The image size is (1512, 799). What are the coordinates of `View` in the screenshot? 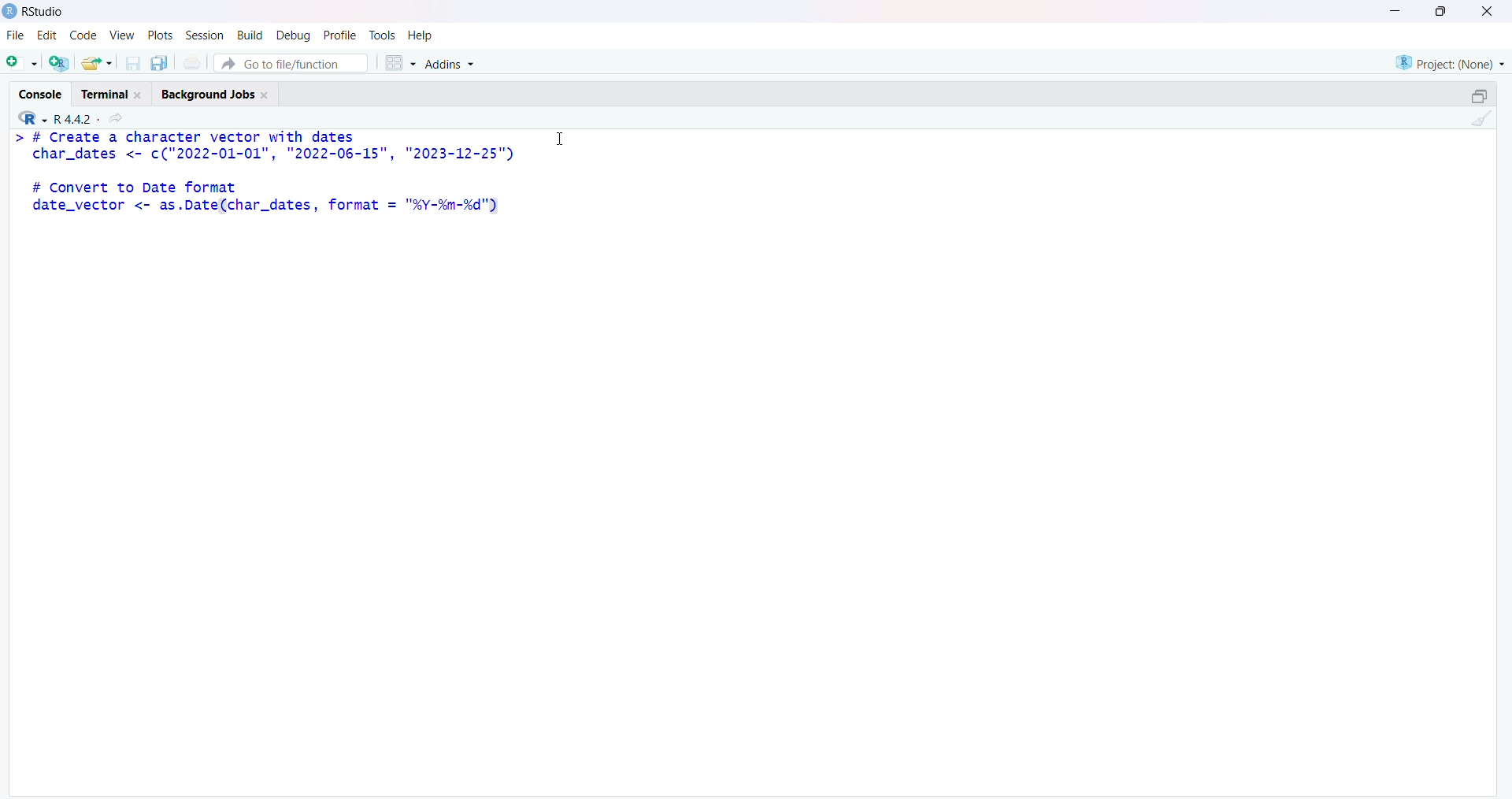 It's located at (121, 37).